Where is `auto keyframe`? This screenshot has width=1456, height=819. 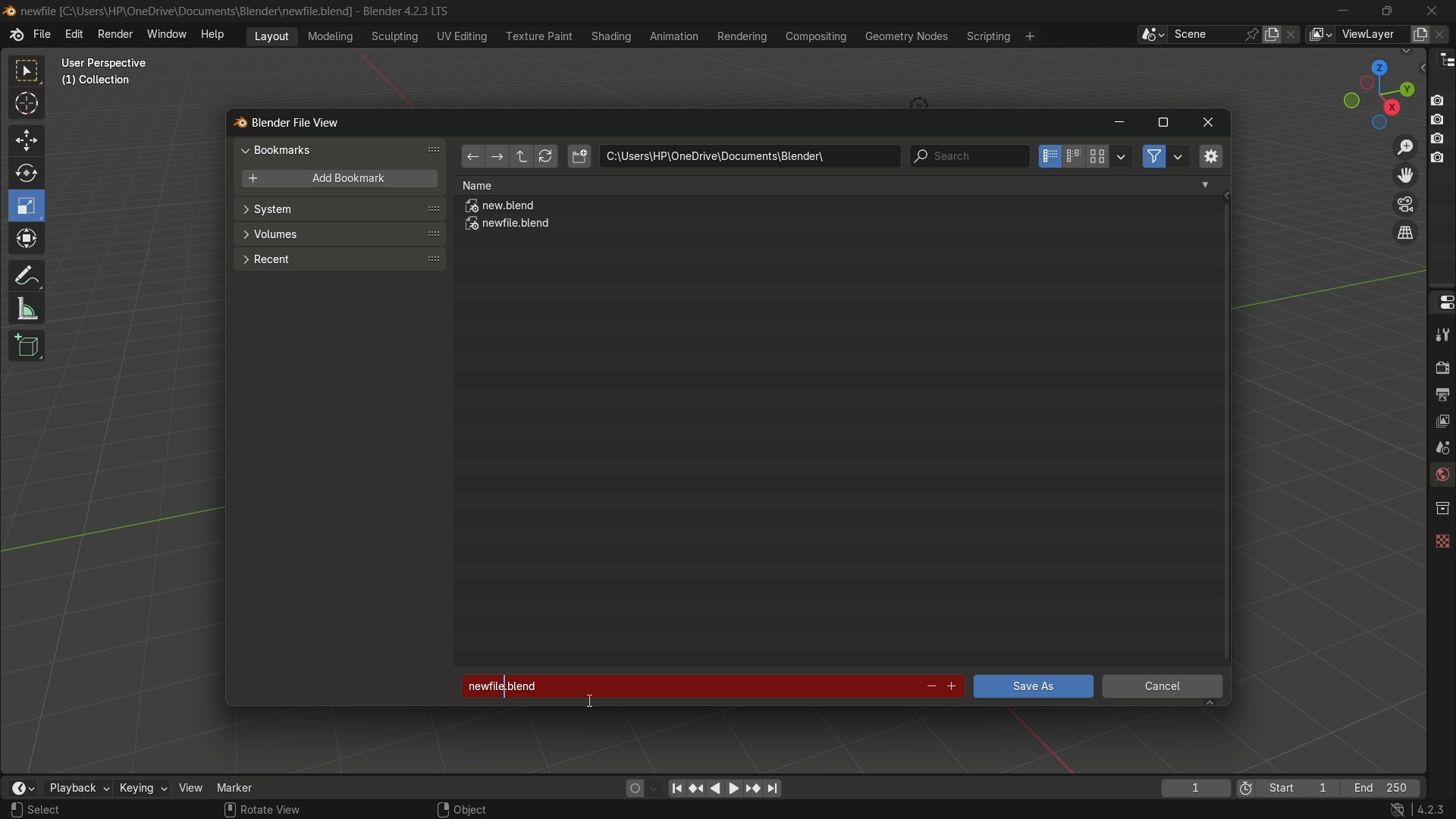 auto keyframe is located at coordinates (654, 788).